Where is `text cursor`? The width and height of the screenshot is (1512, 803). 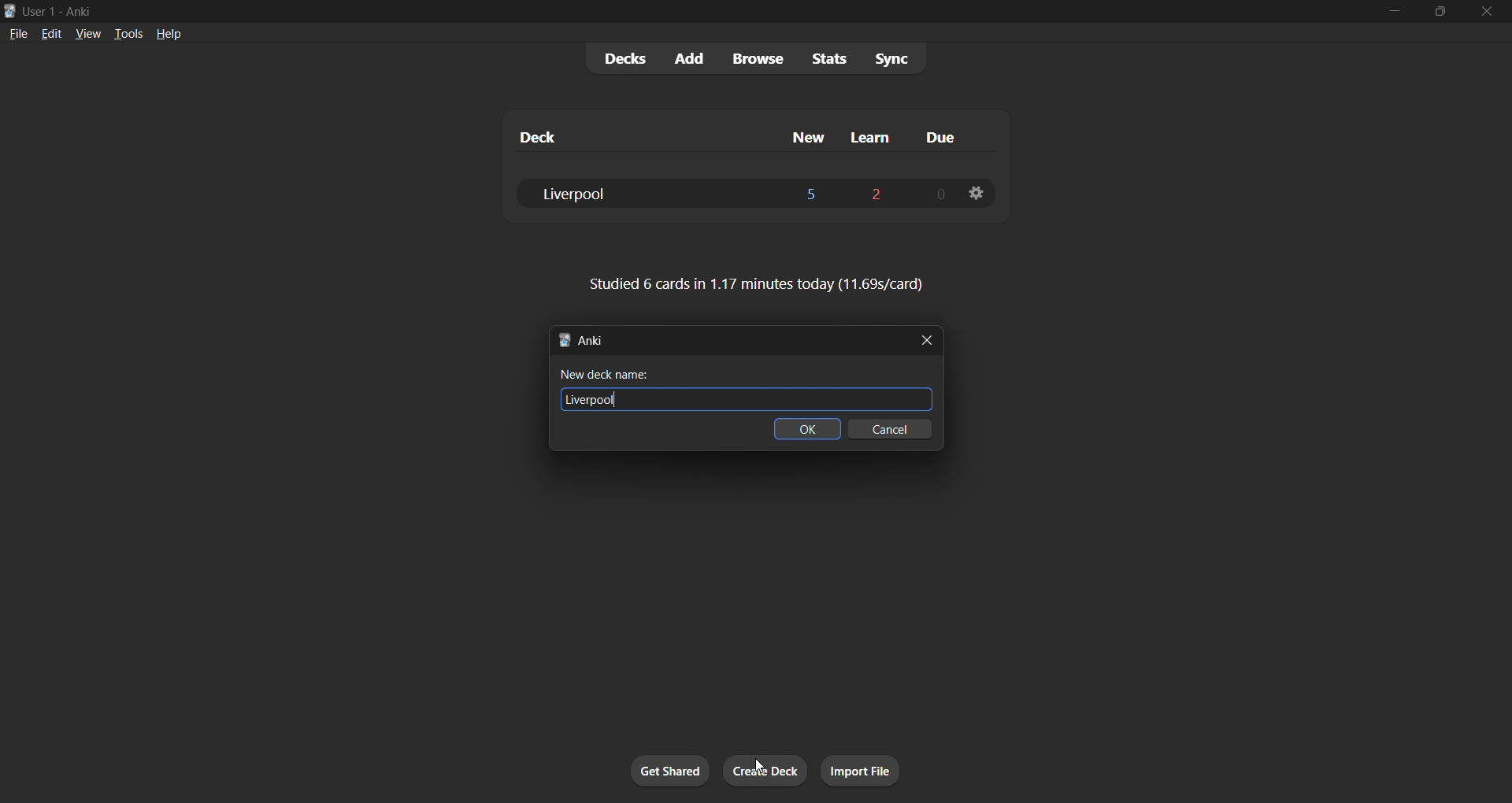 text cursor is located at coordinates (623, 398).